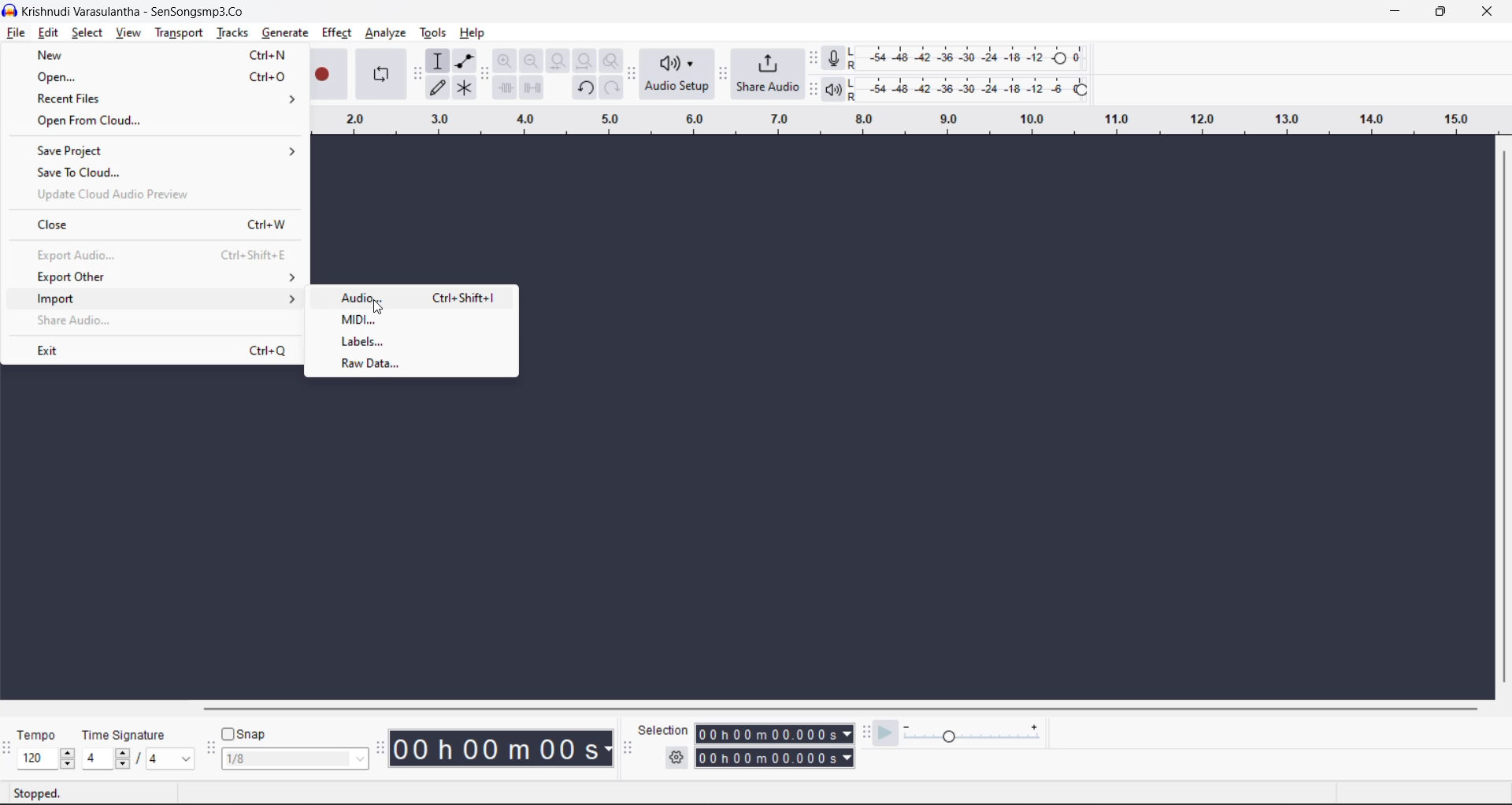  Describe the element at coordinates (167, 98) in the screenshot. I see `recent files` at that location.